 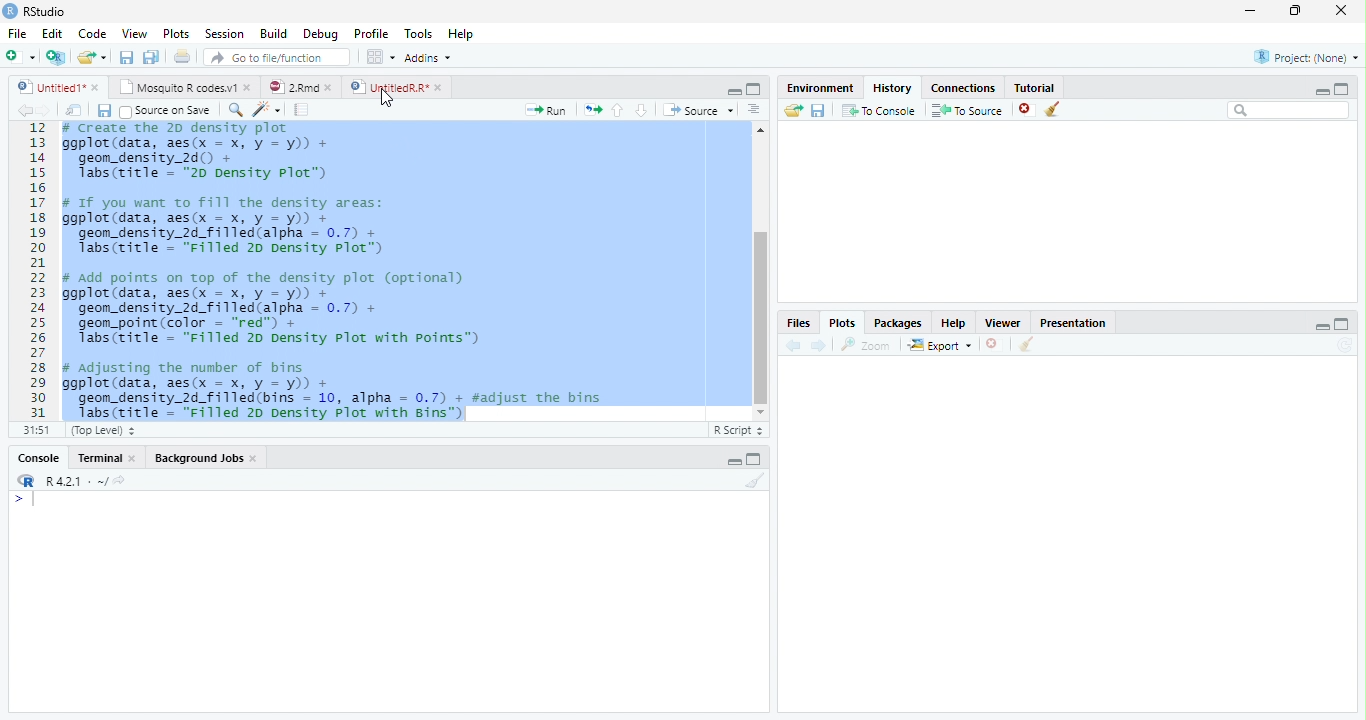 I want to click on close, so click(x=256, y=460).